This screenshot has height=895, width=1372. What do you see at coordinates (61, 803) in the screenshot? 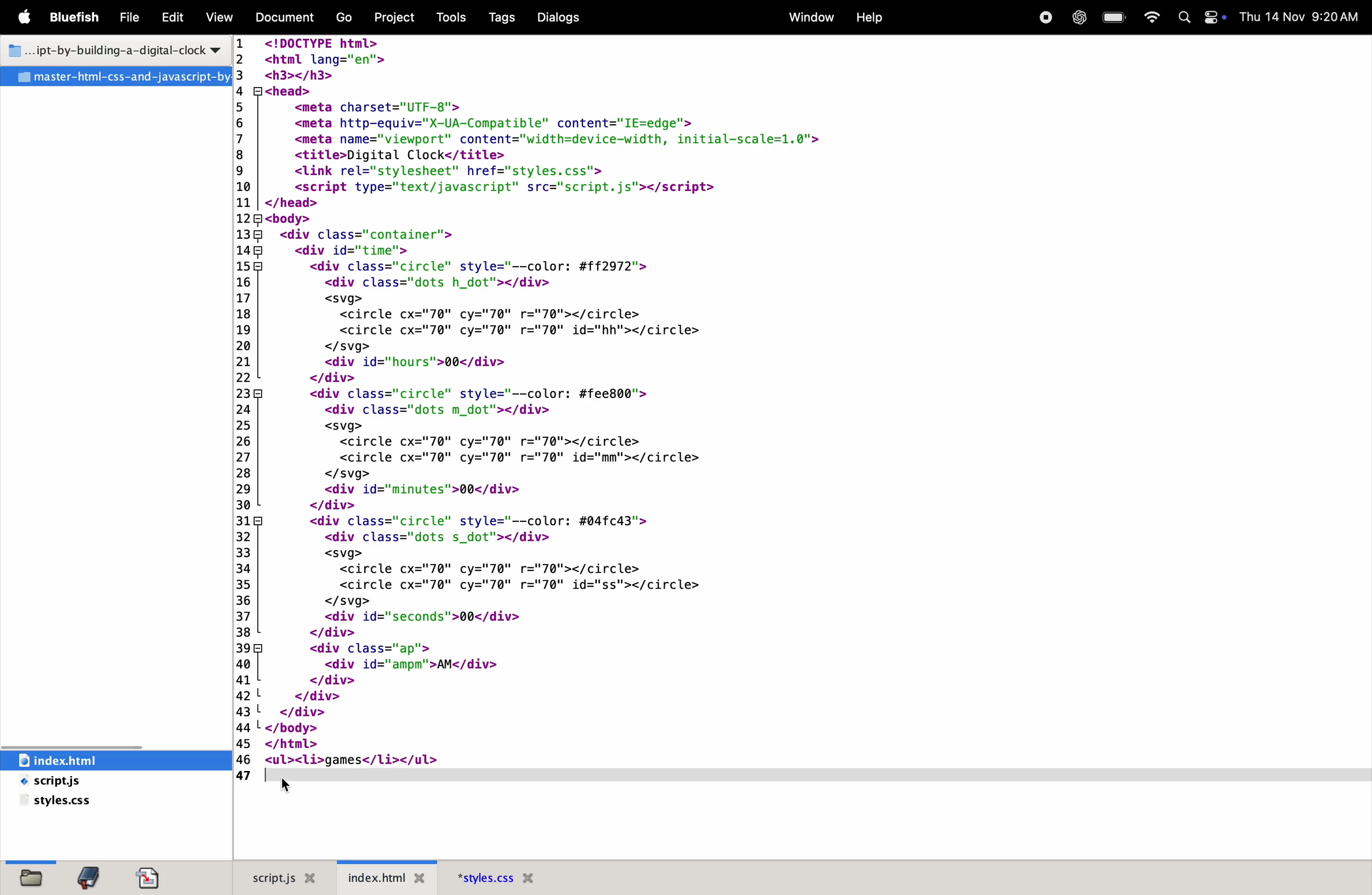
I see `style.css` at bounding box center [61, 803].